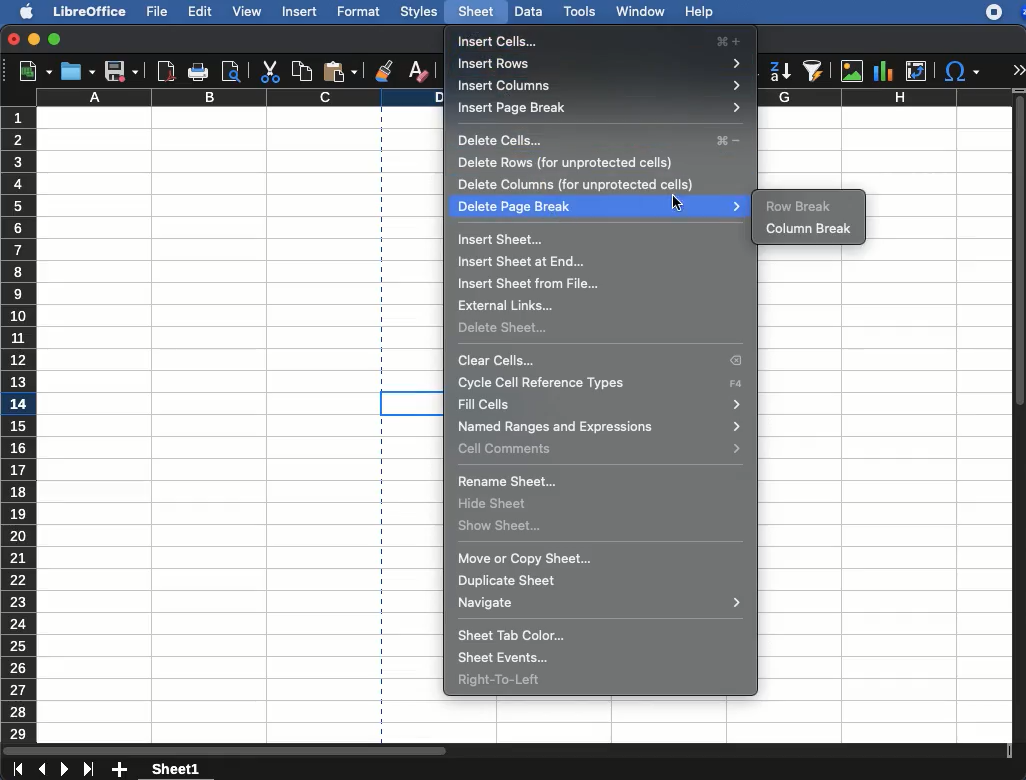 This screenshot has width=1026, height=780. I want to click on move or copy sheet, so click(525, 559).